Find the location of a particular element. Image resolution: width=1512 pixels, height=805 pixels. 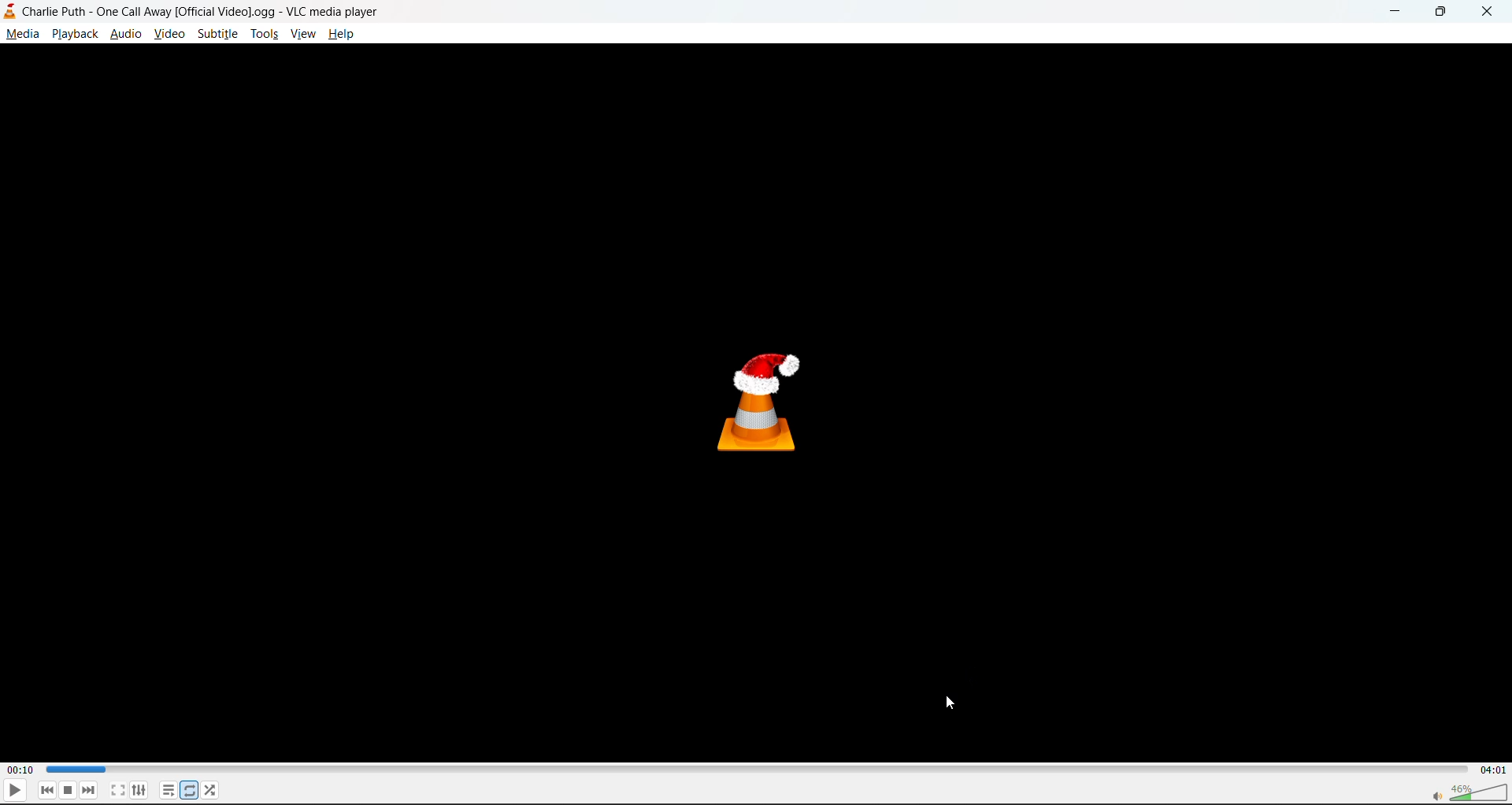

audio is located at coordinates (126, 34).